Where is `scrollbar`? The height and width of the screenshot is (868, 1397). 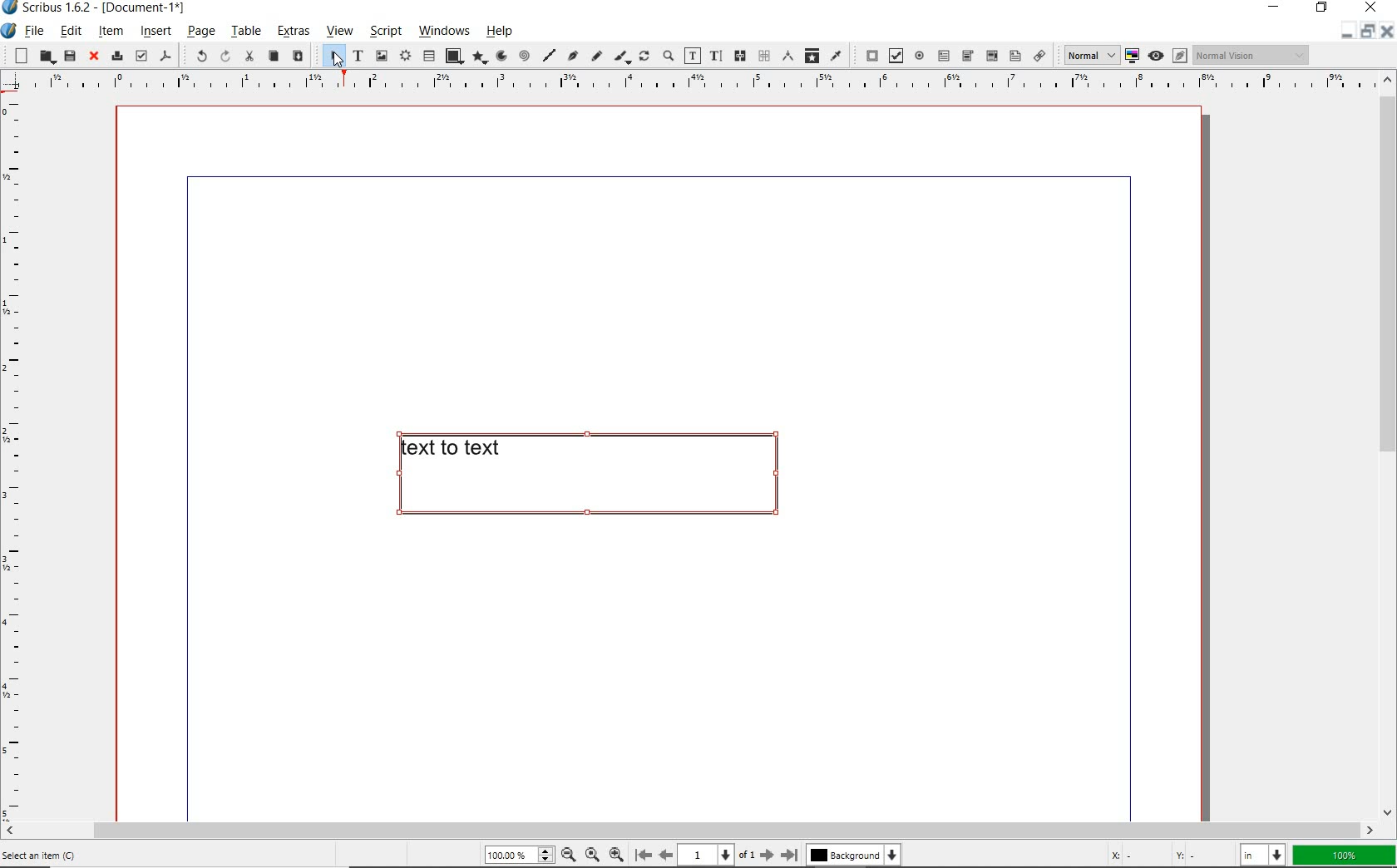 scrollbar is located at coordinates (689, 830).